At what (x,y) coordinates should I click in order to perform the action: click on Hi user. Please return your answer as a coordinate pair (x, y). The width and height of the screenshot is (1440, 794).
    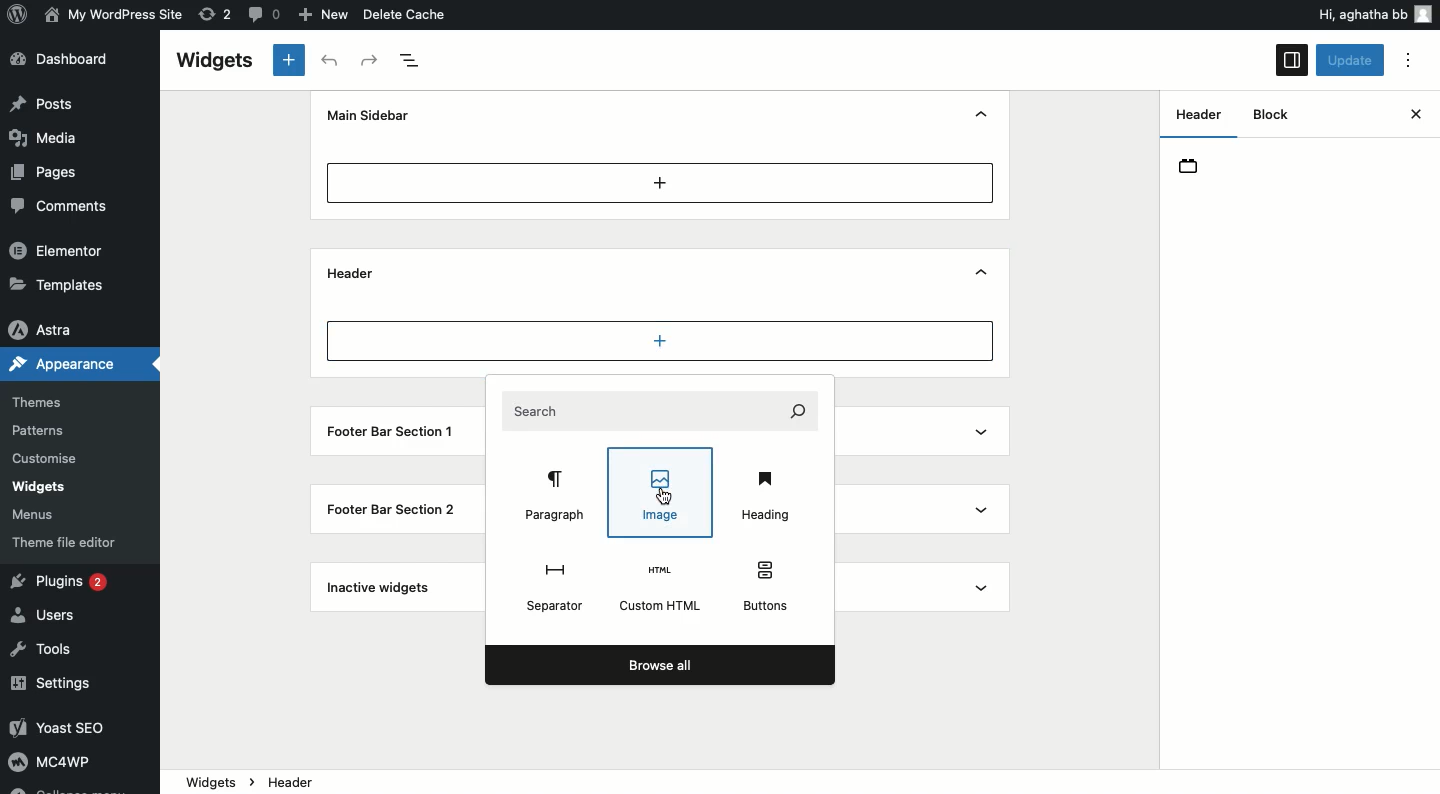
    Looking at the image, I should click on (1373, 14).